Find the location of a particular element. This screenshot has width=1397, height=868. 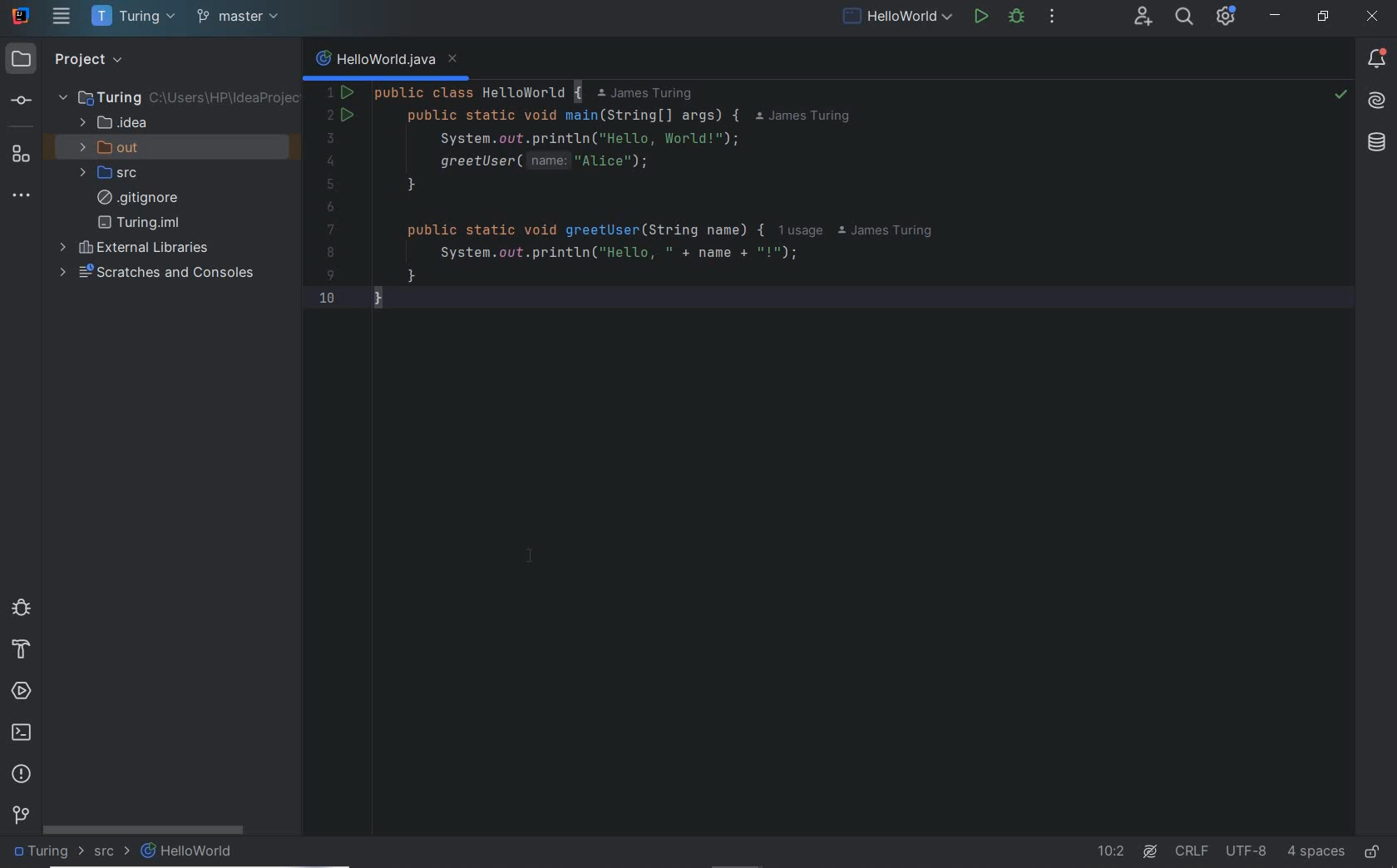

Git is located at coordinates (22, 818).